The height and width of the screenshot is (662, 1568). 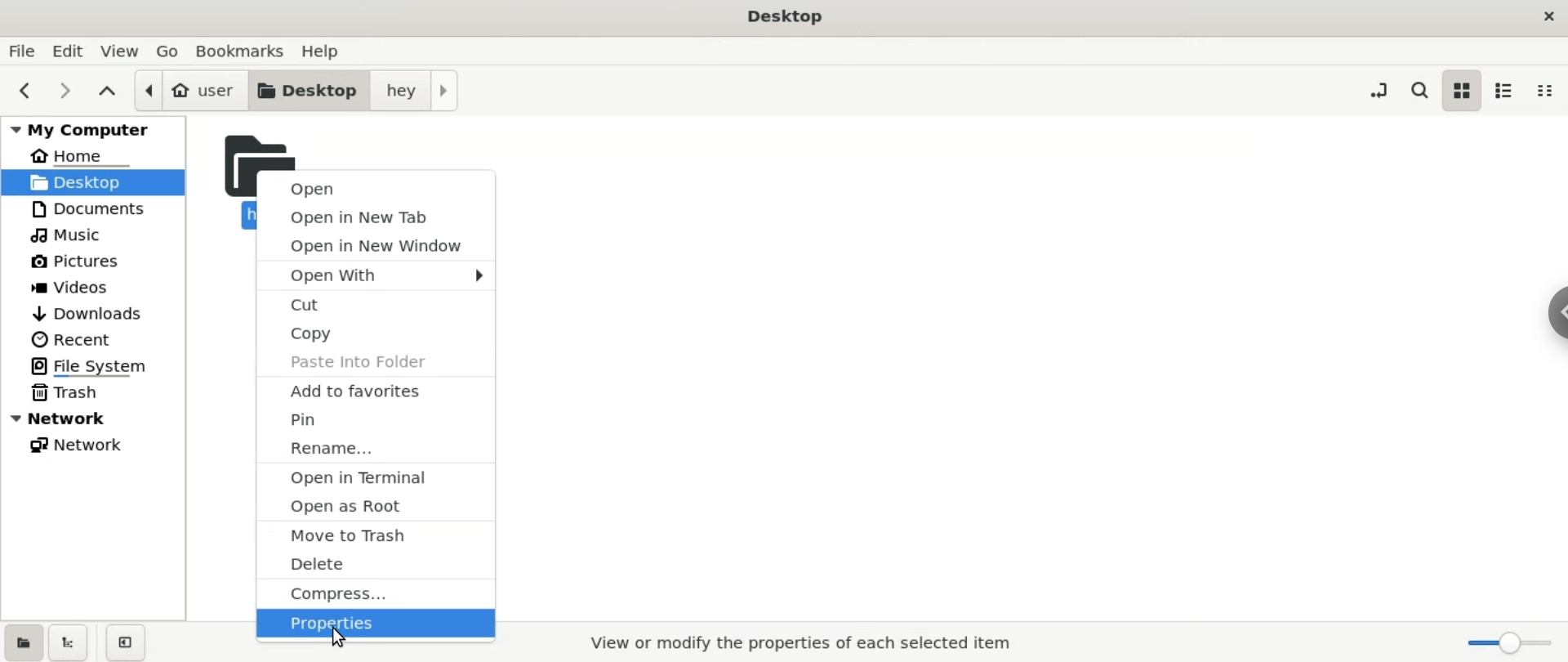 I want to click on delete, so click(x=376, y=564).